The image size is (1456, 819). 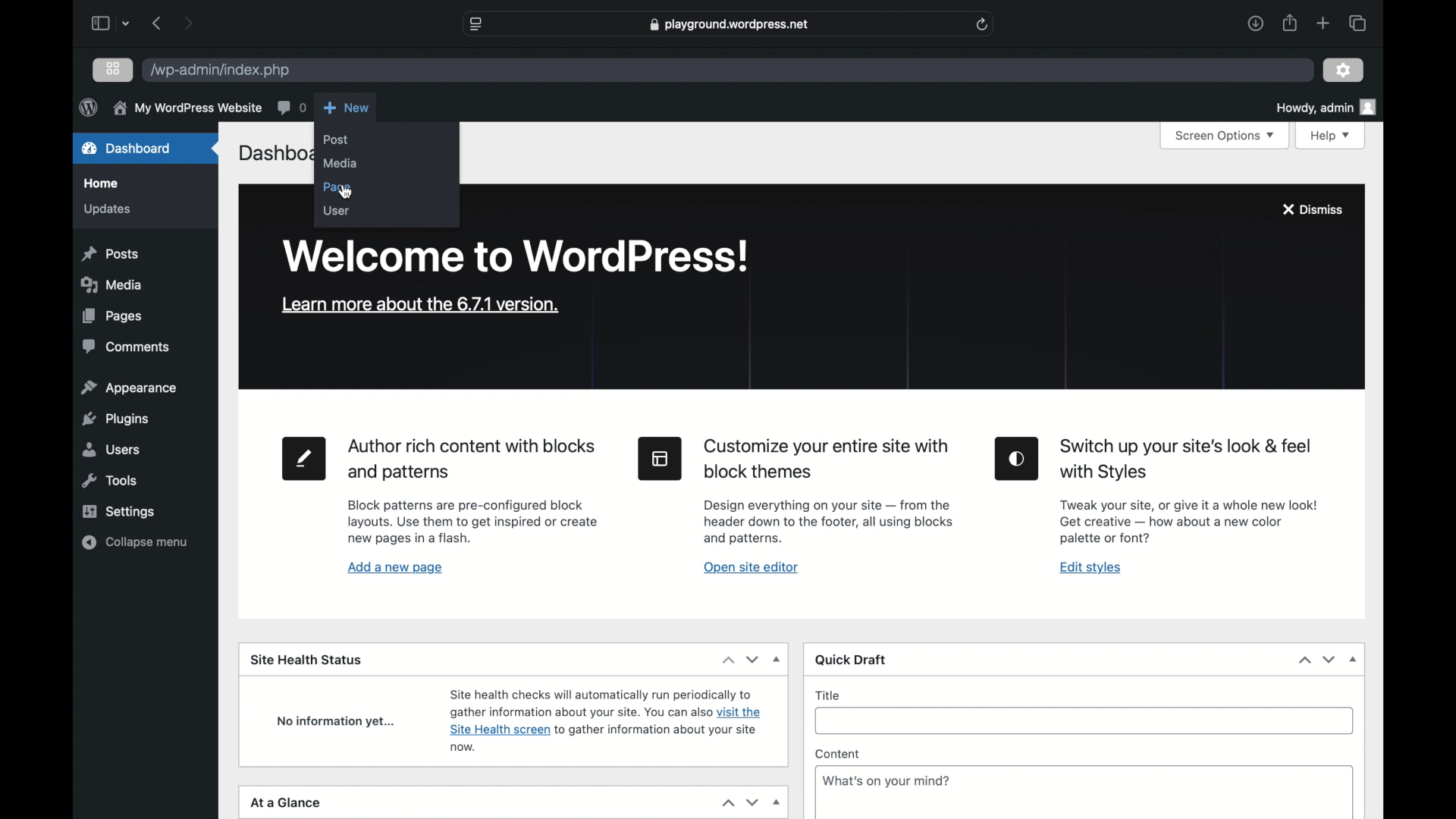 I want to click on screen options, so click(x=1223, y=136).